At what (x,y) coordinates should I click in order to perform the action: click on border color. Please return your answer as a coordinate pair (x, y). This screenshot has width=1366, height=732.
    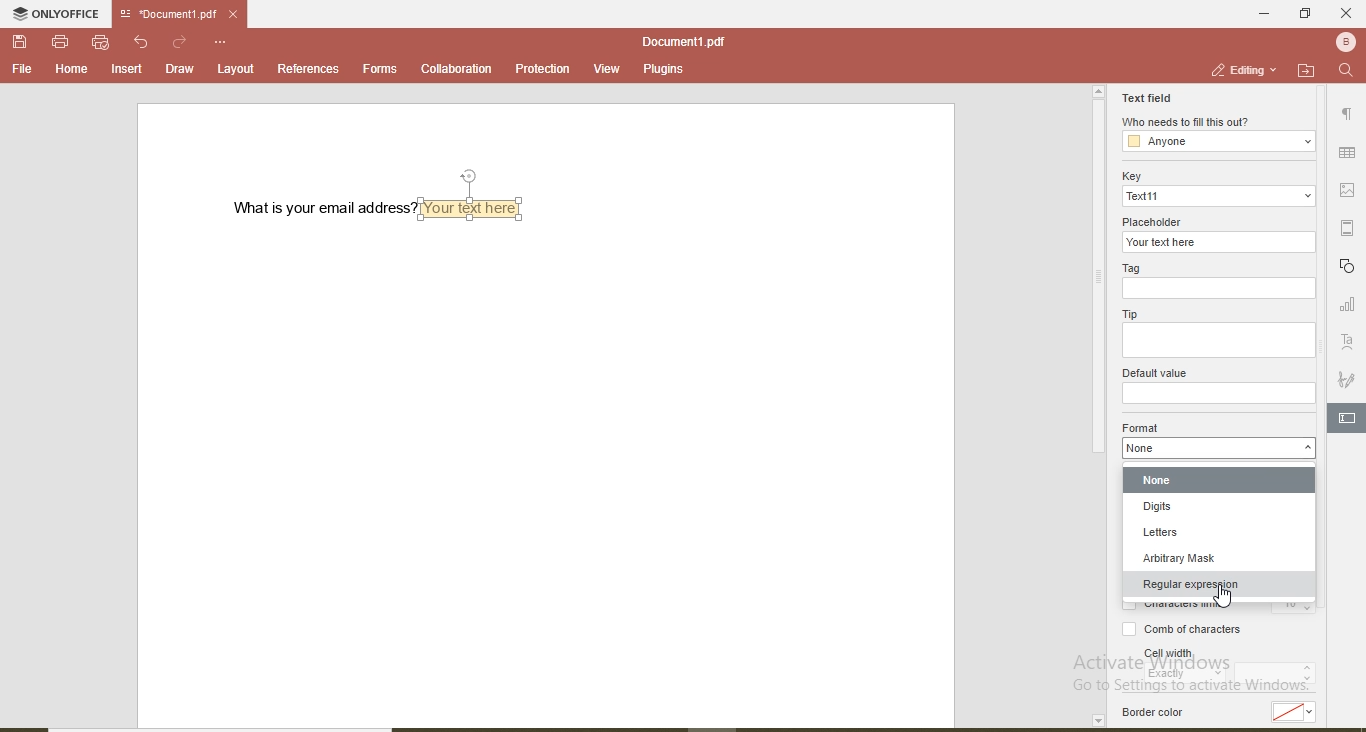
    Looking at the image, I should click on (1156, 713).